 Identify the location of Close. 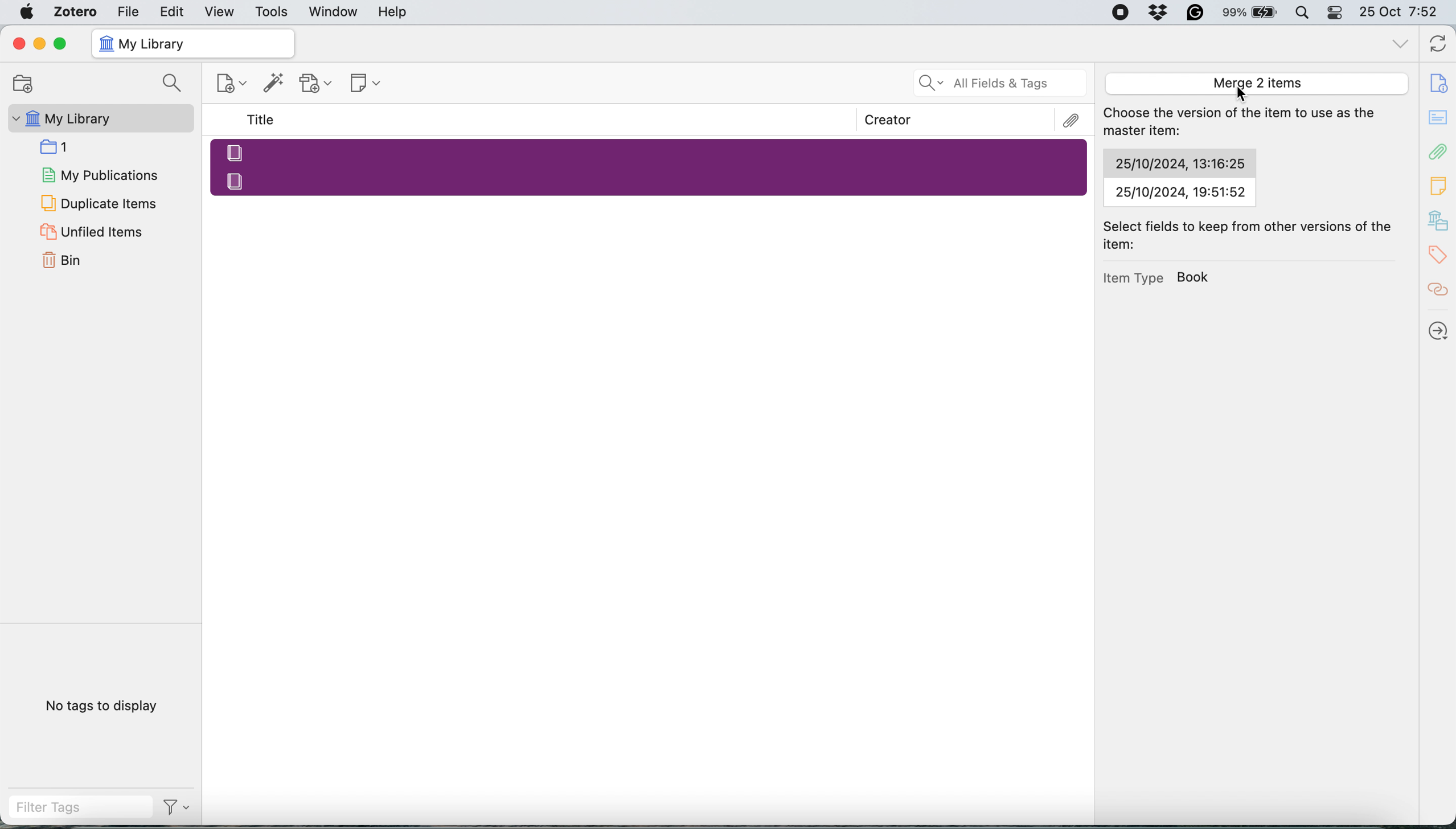
(18, 43).